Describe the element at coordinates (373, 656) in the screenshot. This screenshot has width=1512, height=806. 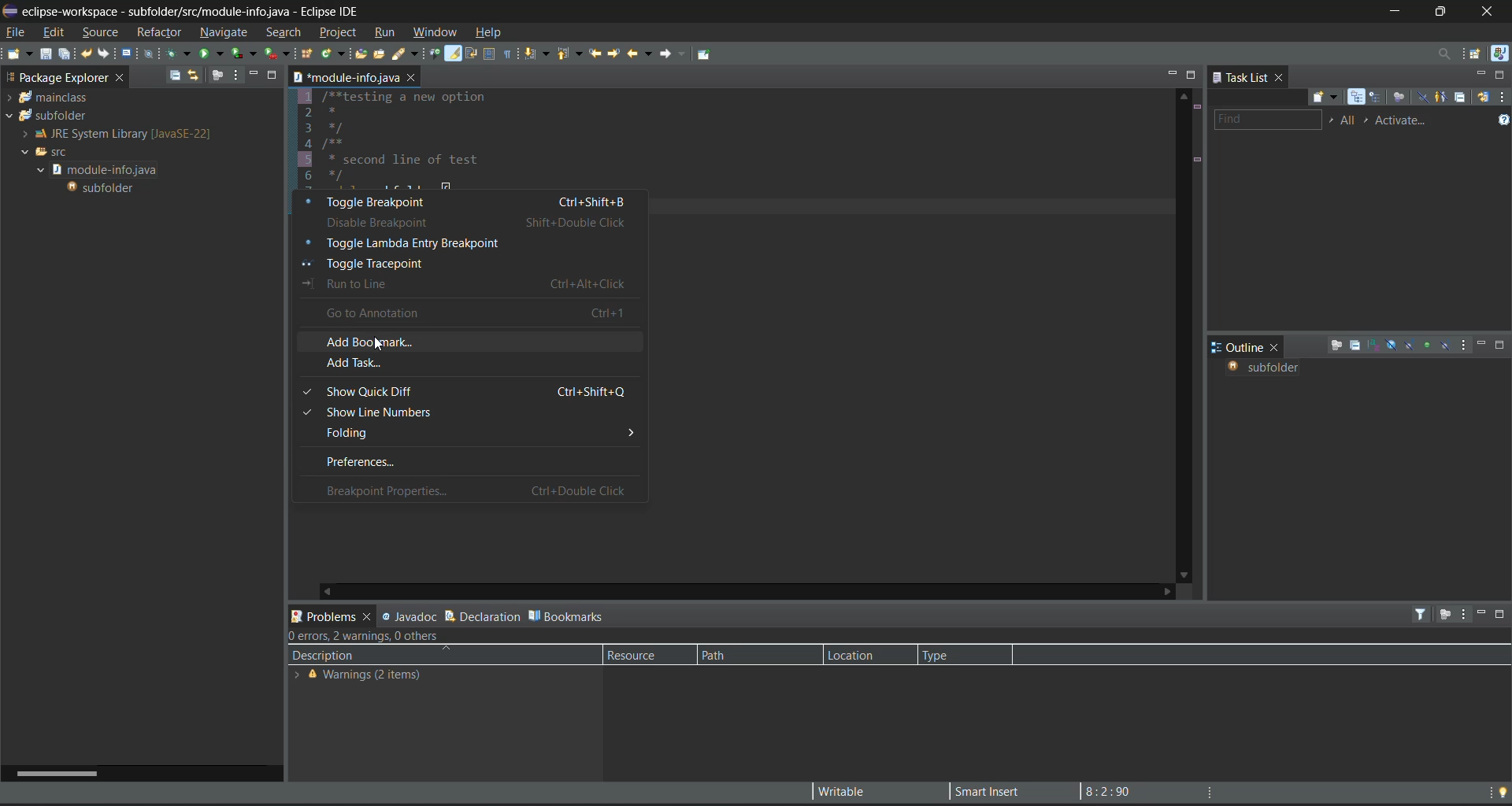
I see `description` at that location.